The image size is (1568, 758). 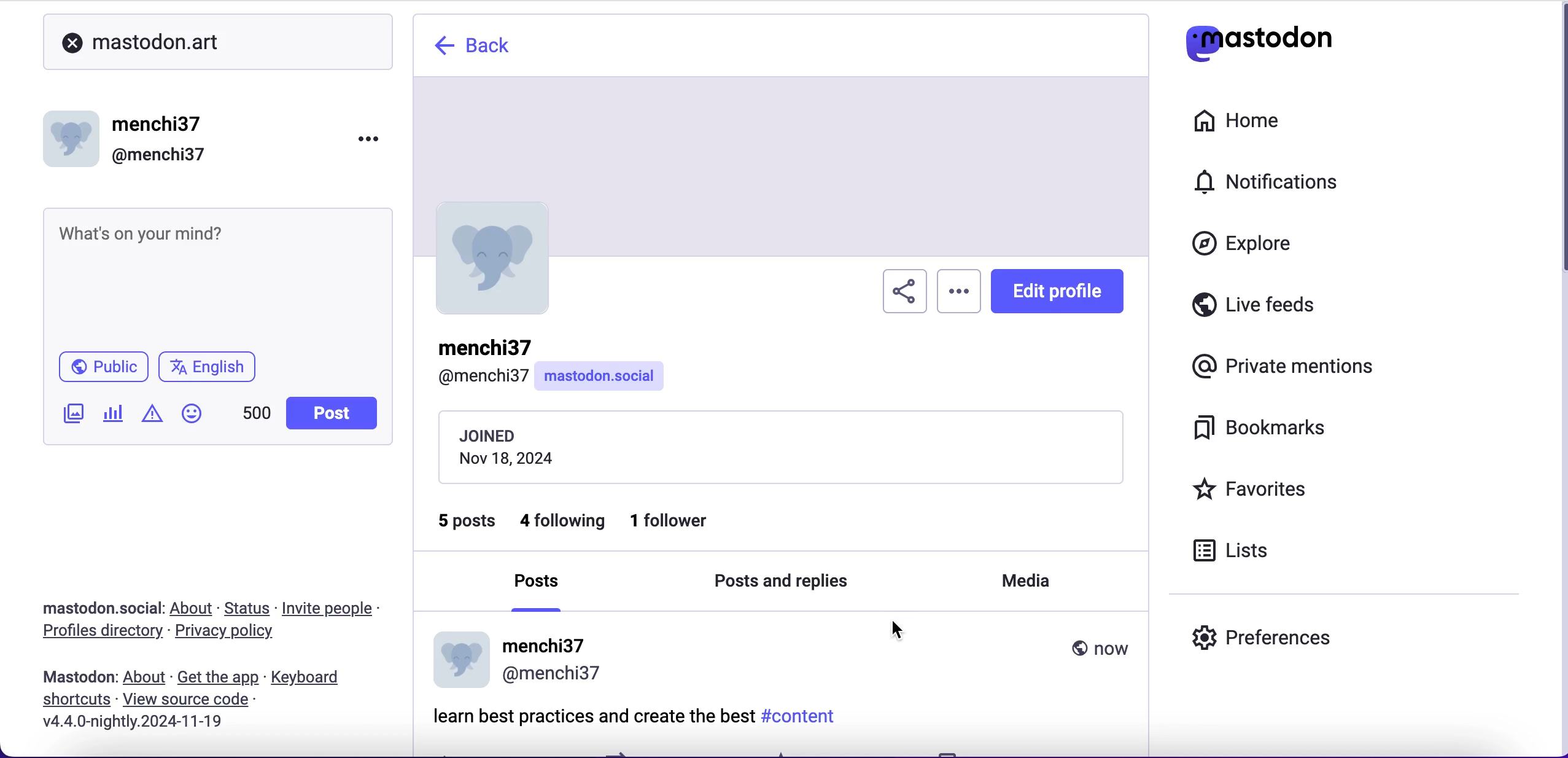 I want to click on share, so click(x=901, y=289).